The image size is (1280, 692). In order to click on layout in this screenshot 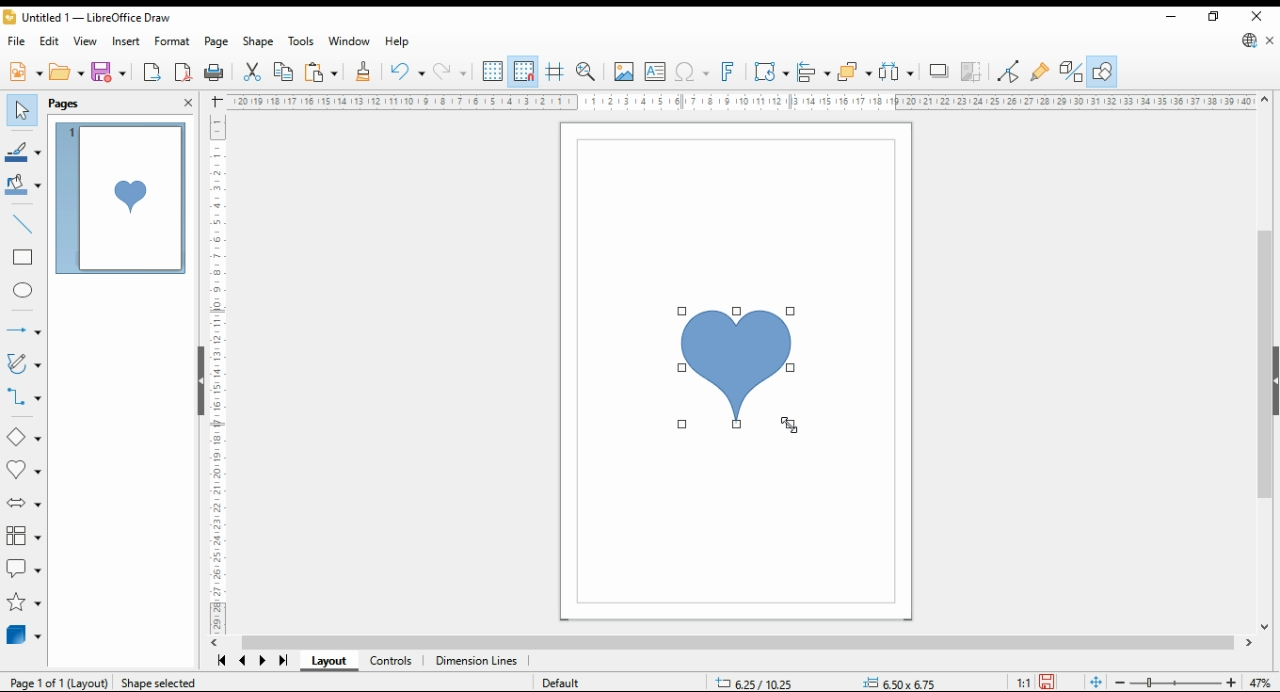, I will do `click(326, 662)`.